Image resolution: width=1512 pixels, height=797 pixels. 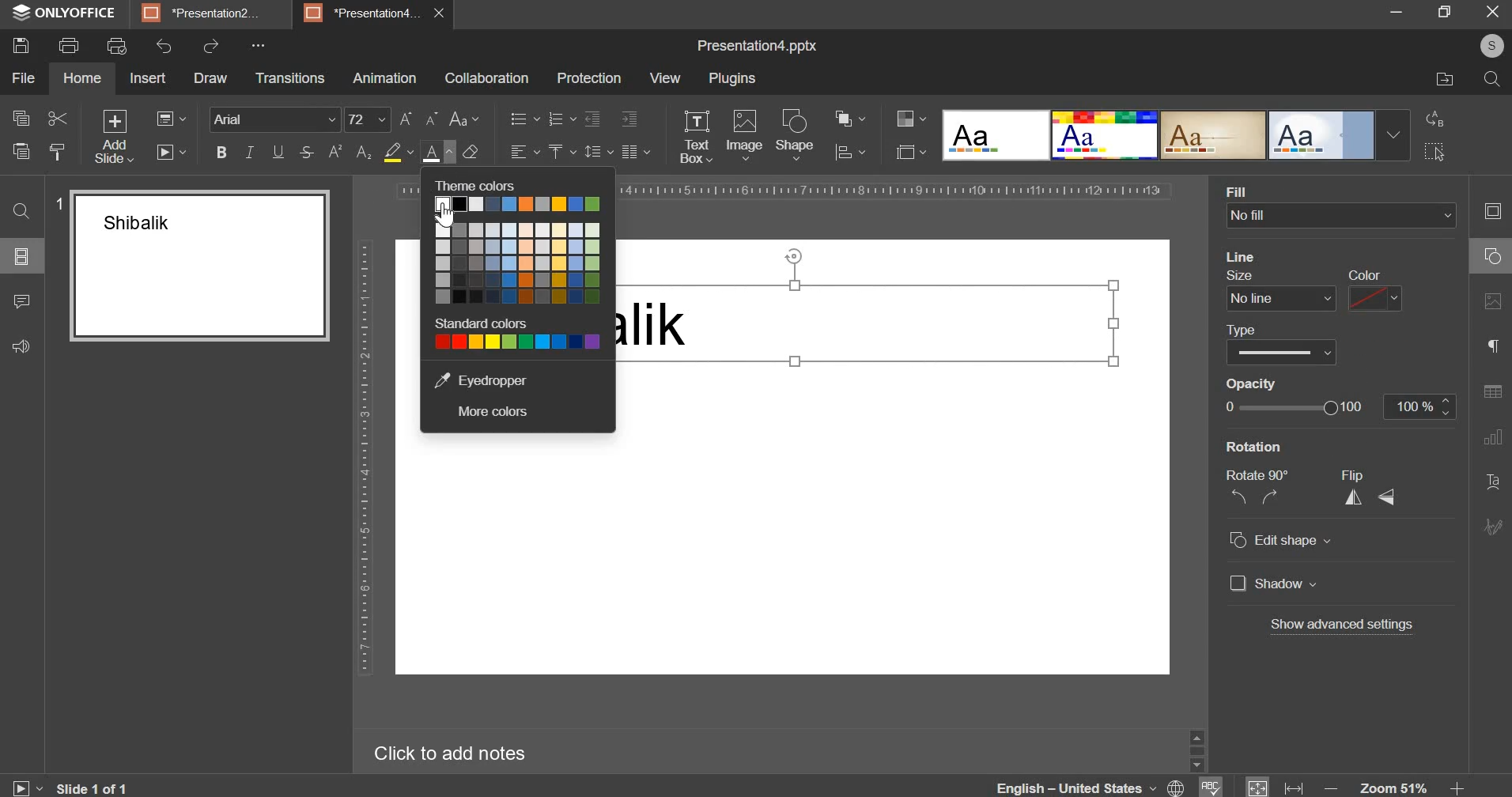 I want to click on fit to width, so click(x=1295, y=786).